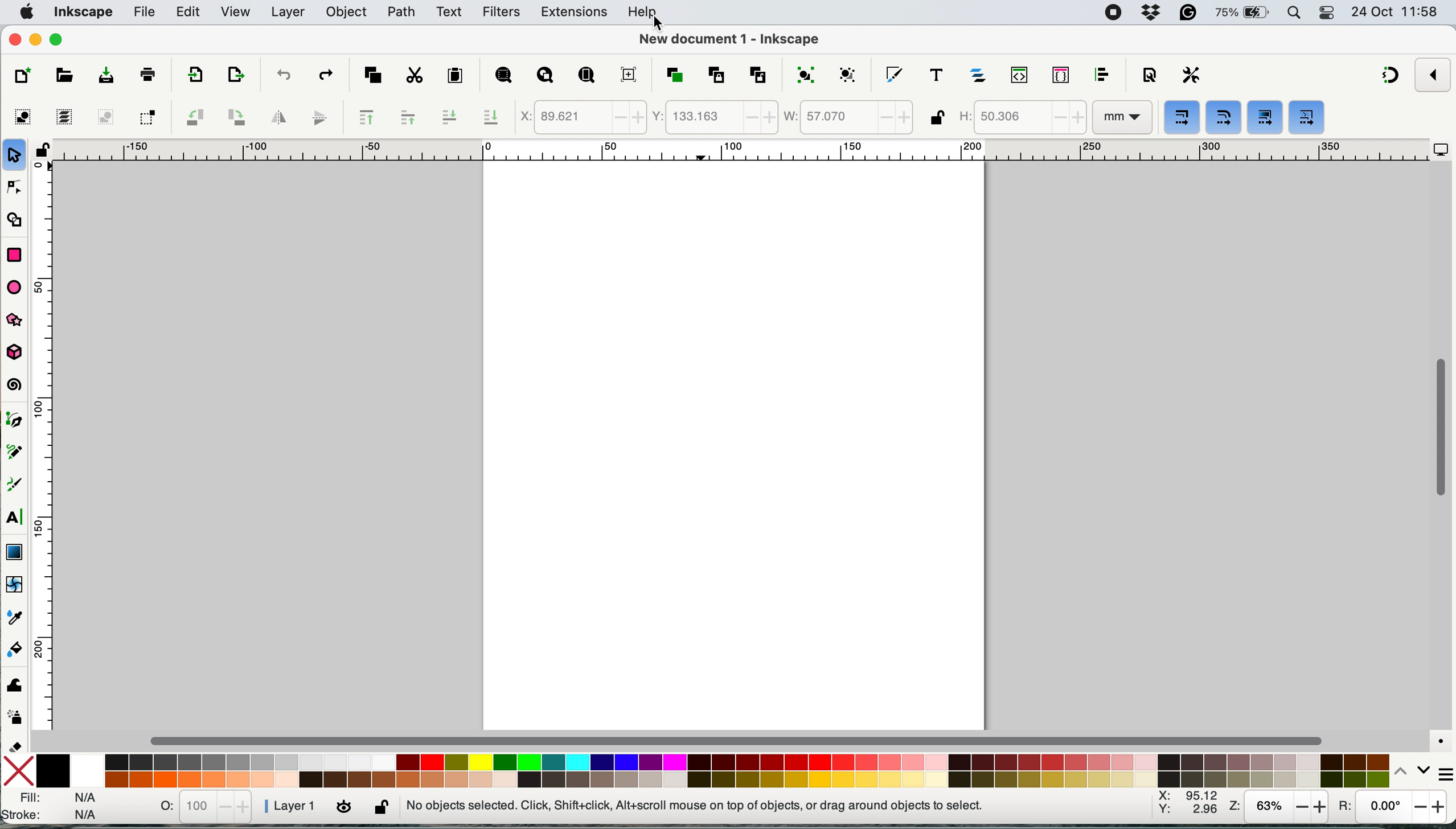 This screenshot has width=1456, height=829. Describe the element at coordinates (733, 738) in the screenshot. I see `horizontal scroll bar` at that location.